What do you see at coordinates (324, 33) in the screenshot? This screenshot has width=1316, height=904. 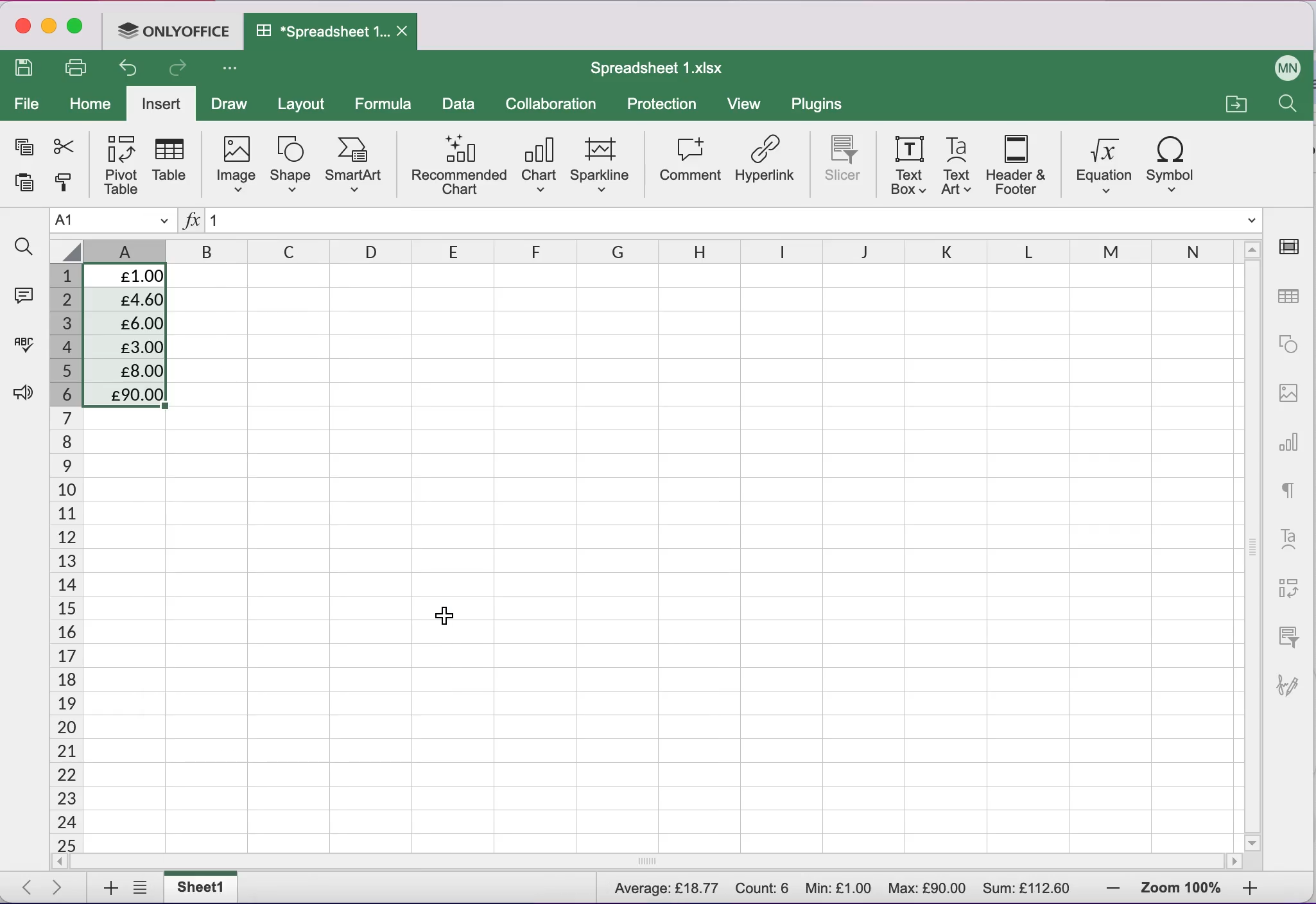 I see `Spreadsheet 1.xIsx` at bounding box center [324, 33].